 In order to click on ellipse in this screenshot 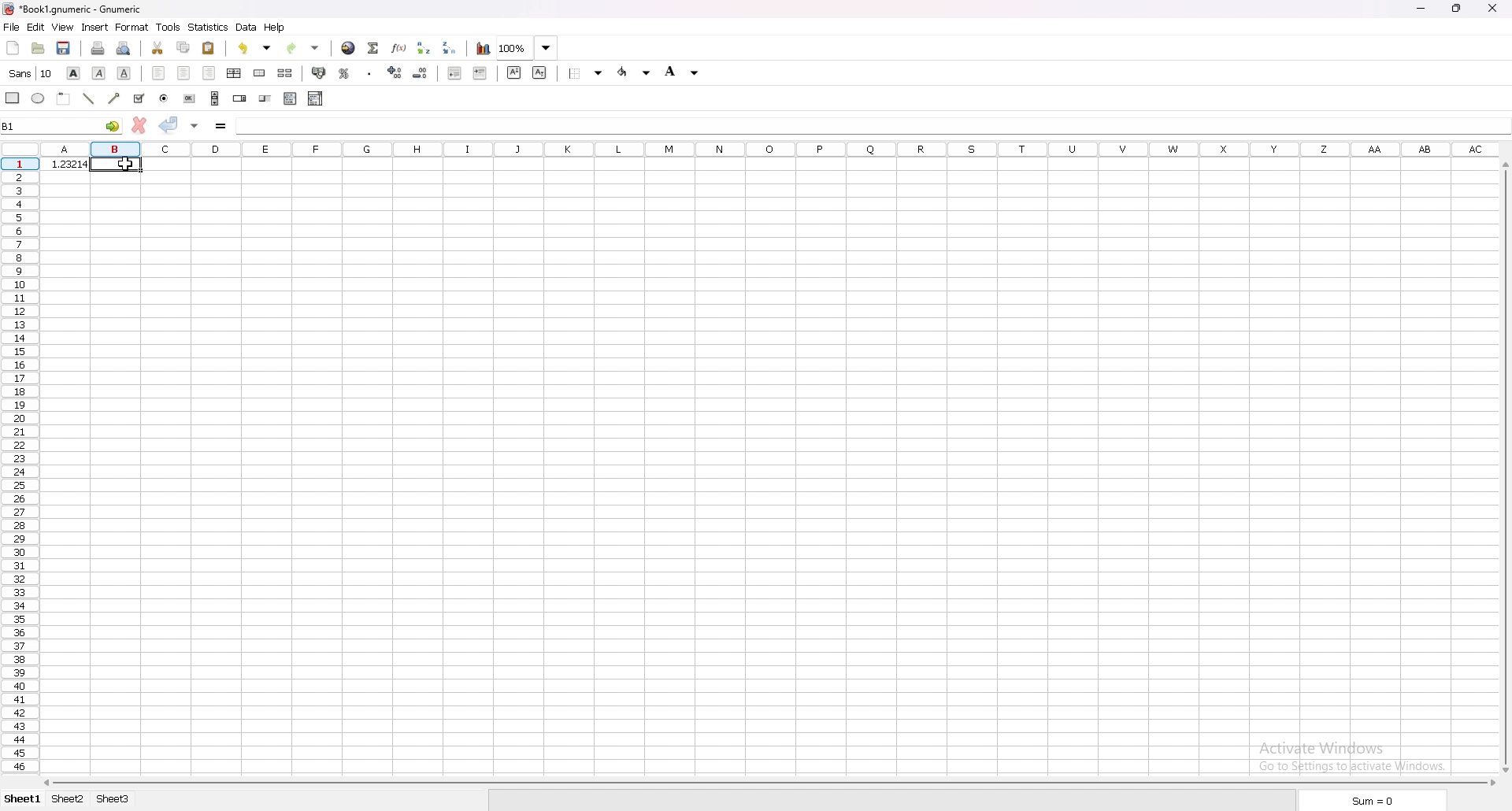, I will do `click(38, 98)`.